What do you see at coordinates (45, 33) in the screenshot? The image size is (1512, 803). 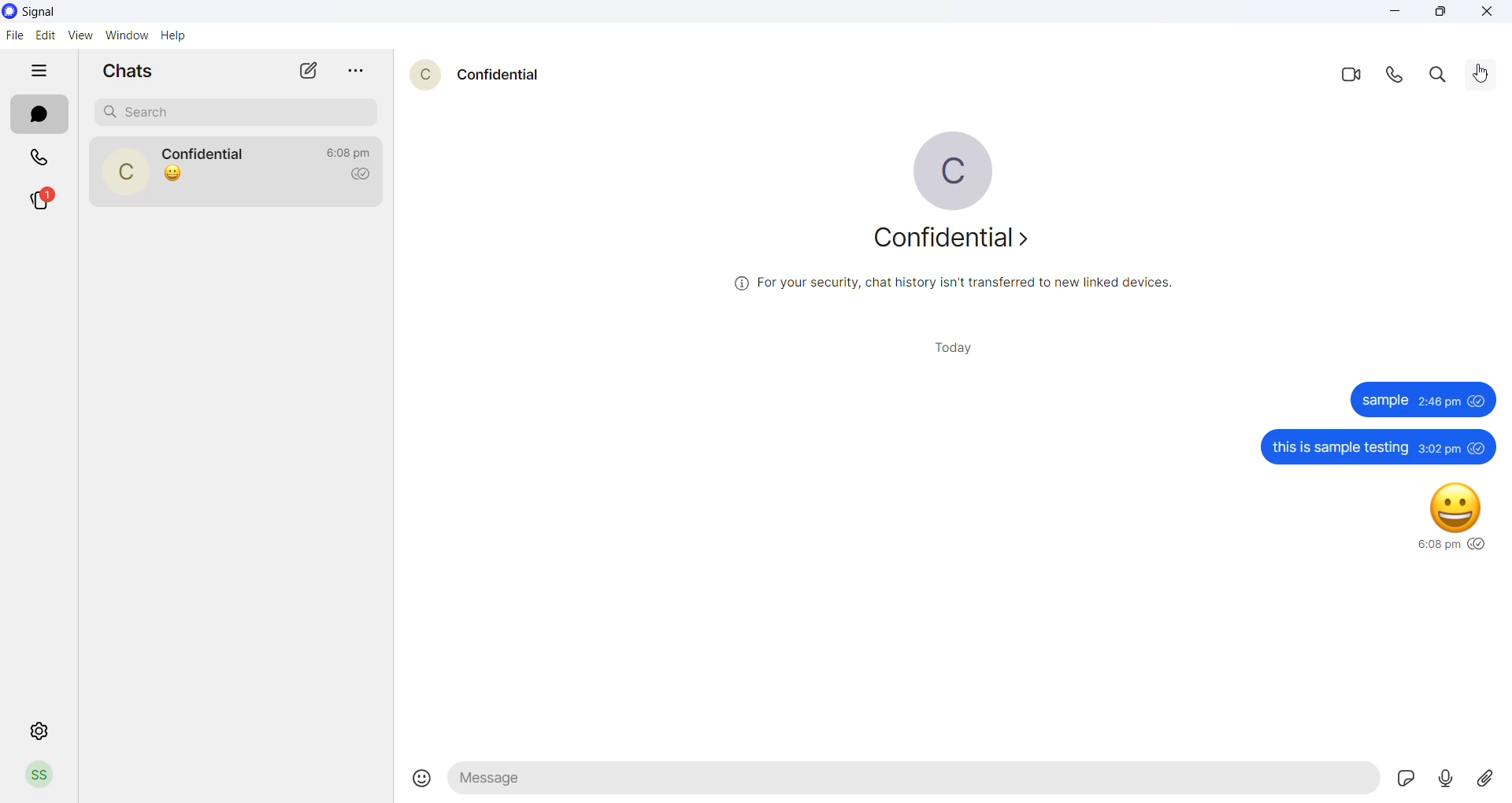 I see `edit` at bounding box center [45, 33].